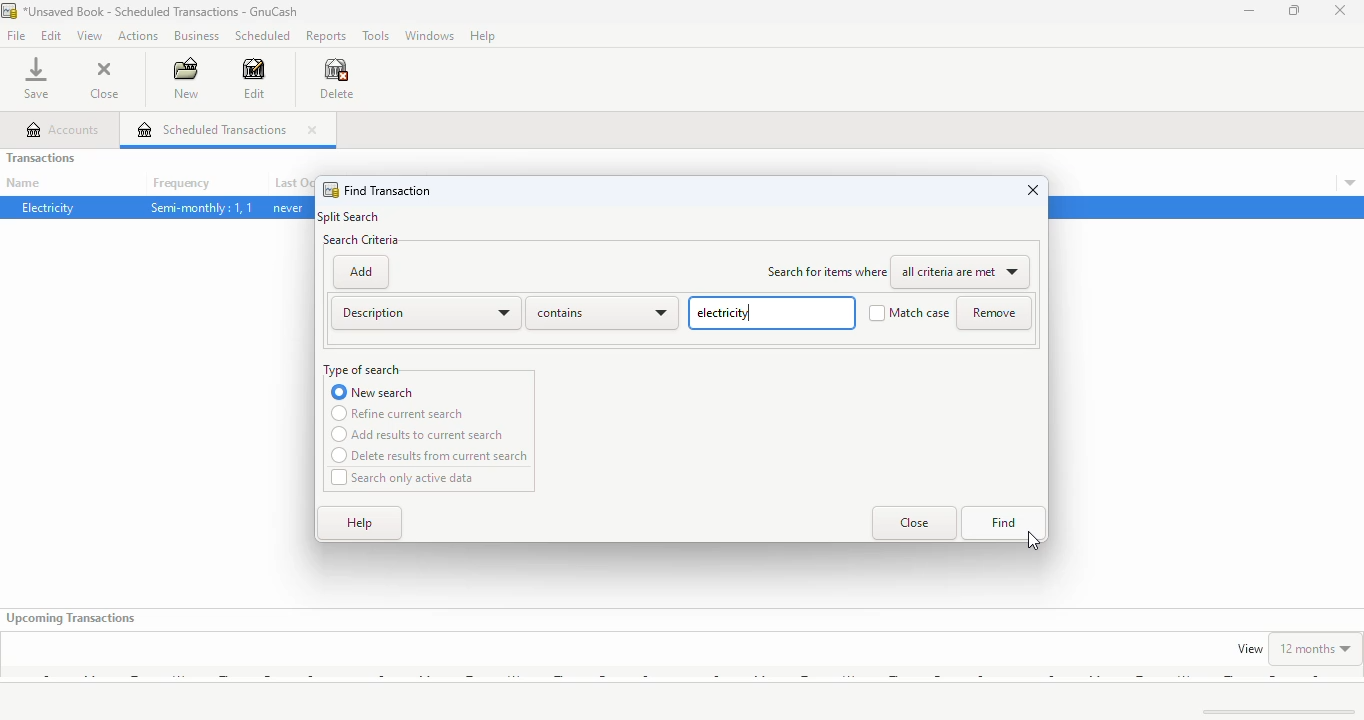 The image size is (1364, 720). I want to click on semi-monthly: 1, 1, so click(201, 208).